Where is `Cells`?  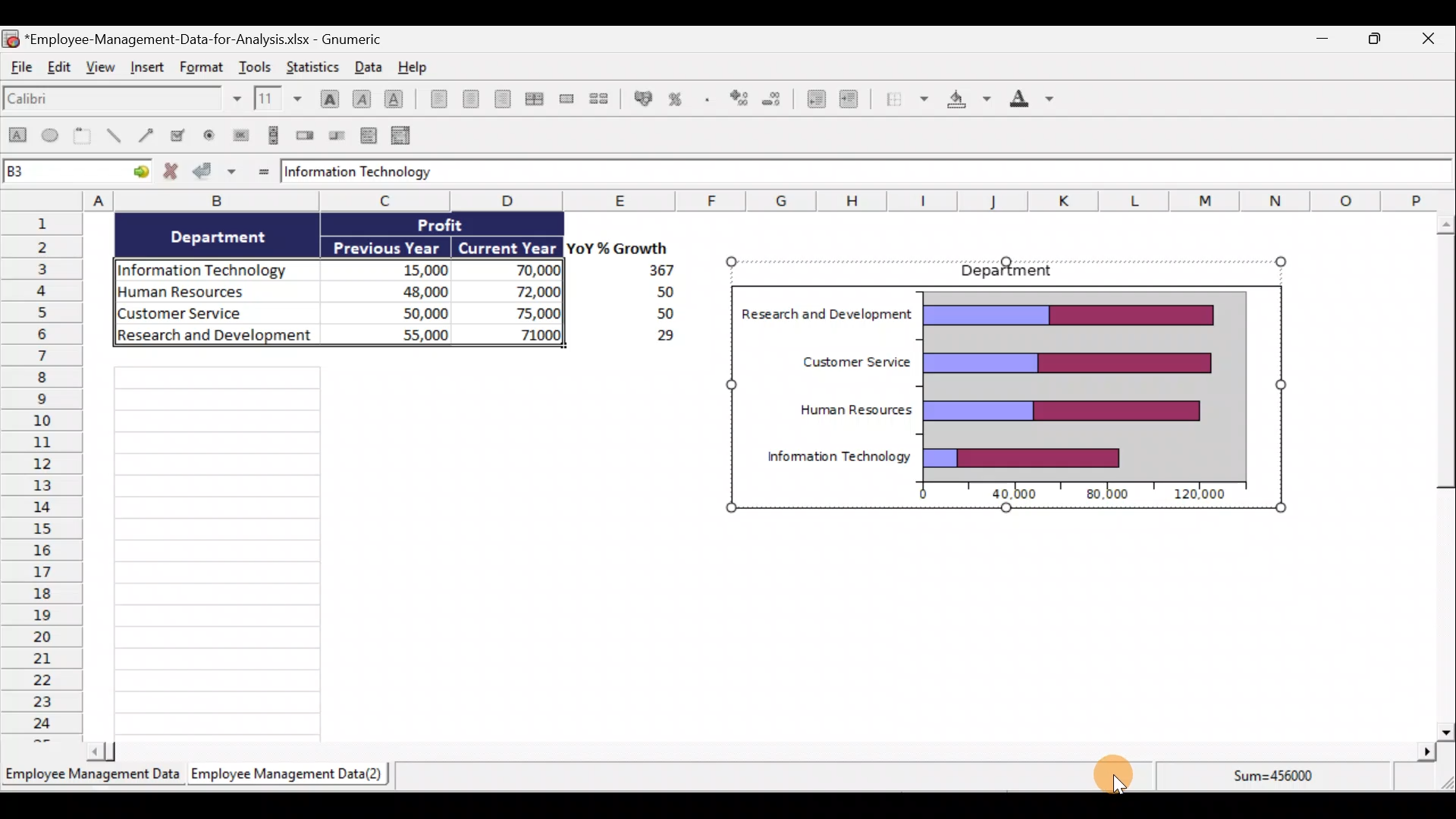 Cells is located at coordinates (267, 551).